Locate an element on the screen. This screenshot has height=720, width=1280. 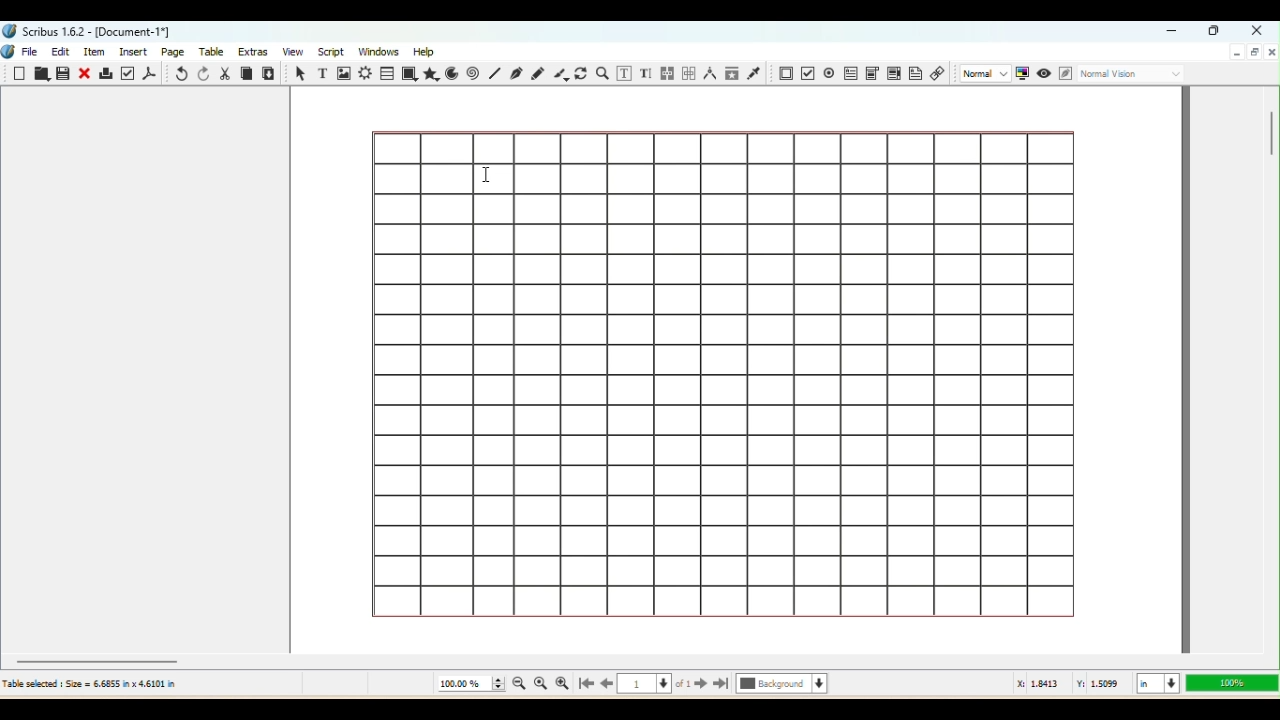
Logo is located at coordinates (9, 53).